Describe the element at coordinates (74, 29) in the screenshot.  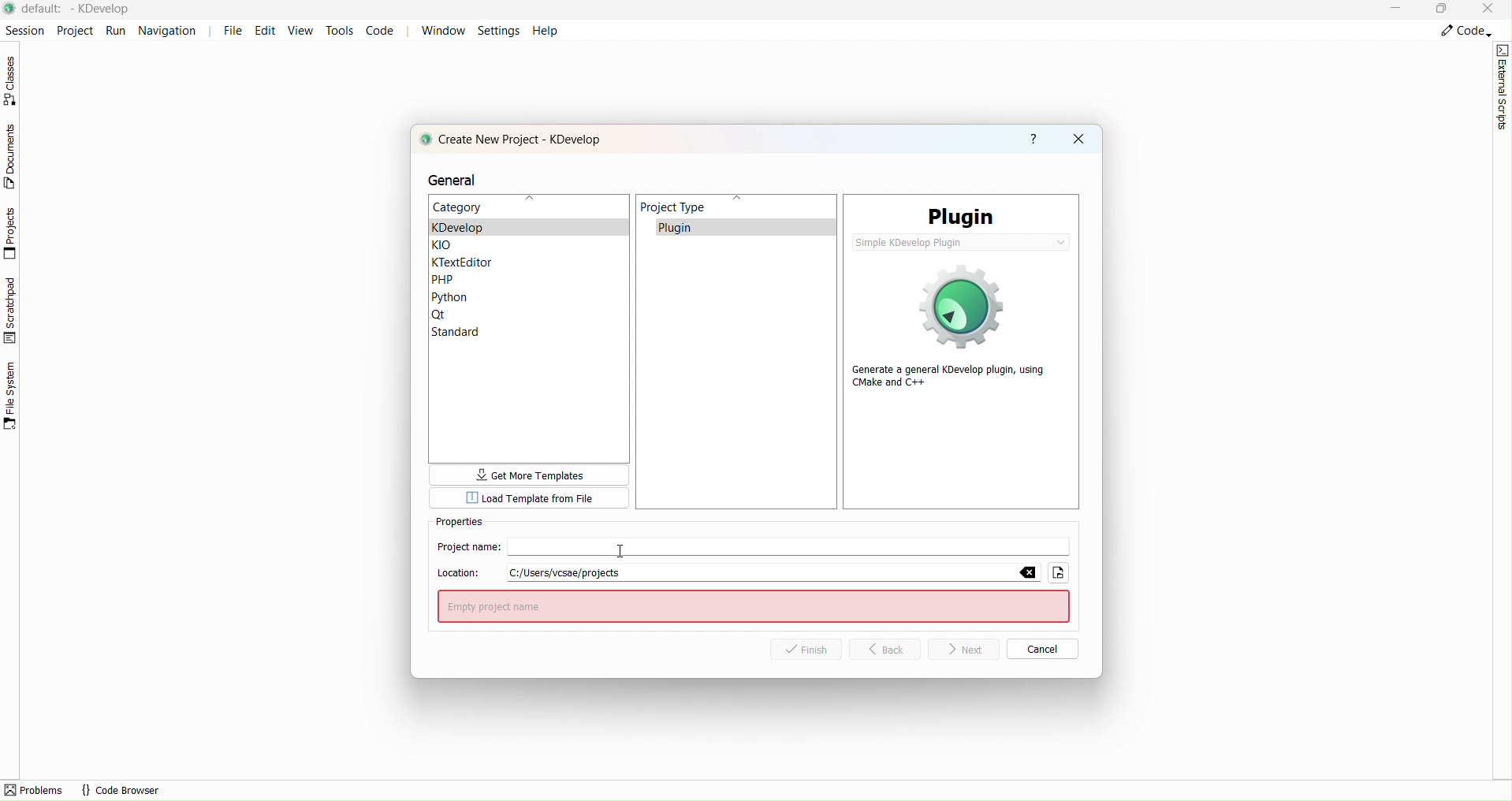
I see `Project` at that location.